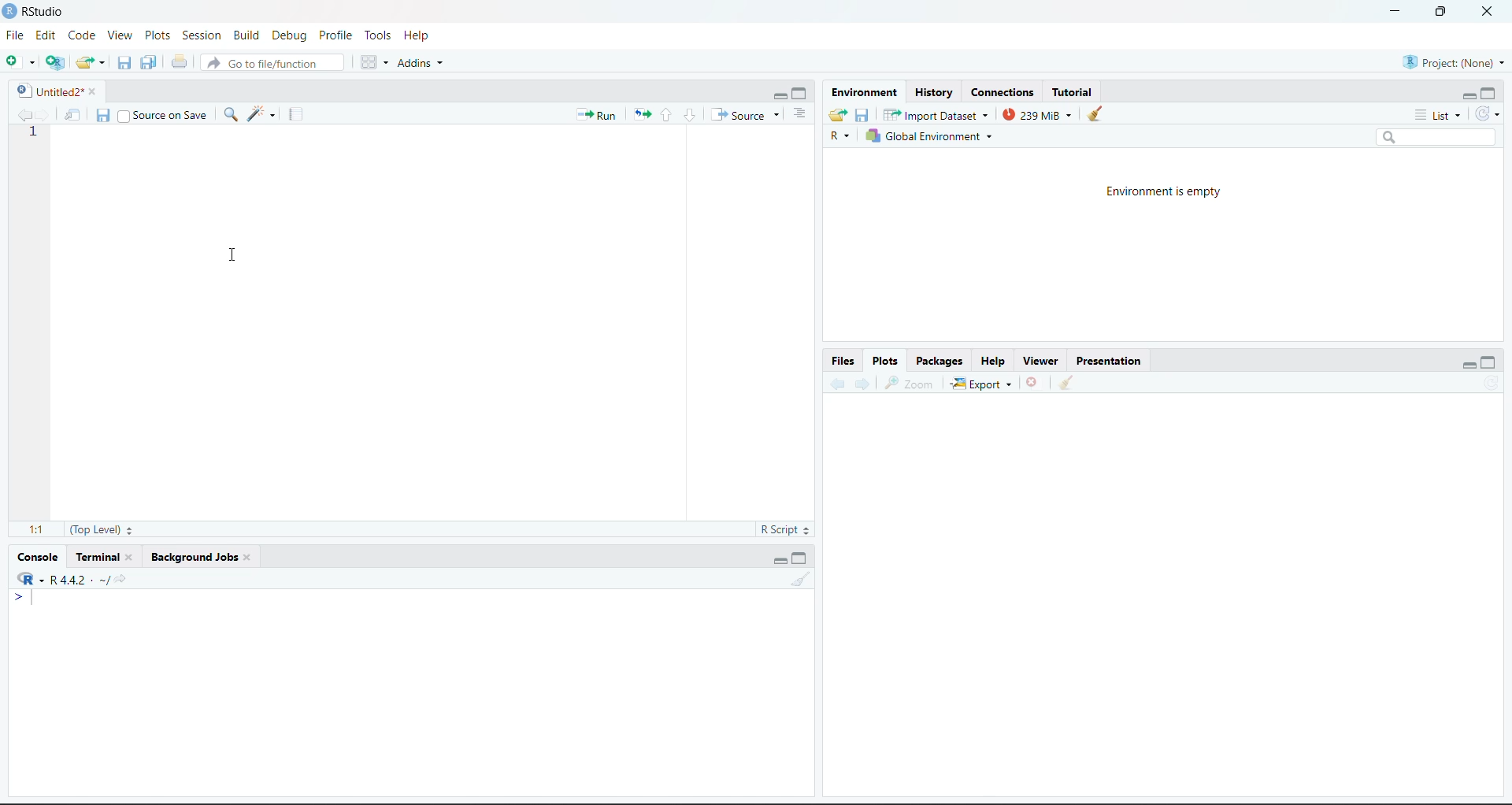 The height and width of the screenshot is (805, 1512). Describe the element at coordinates (36, 528) in the screenshot. I see `1:1` at that location.